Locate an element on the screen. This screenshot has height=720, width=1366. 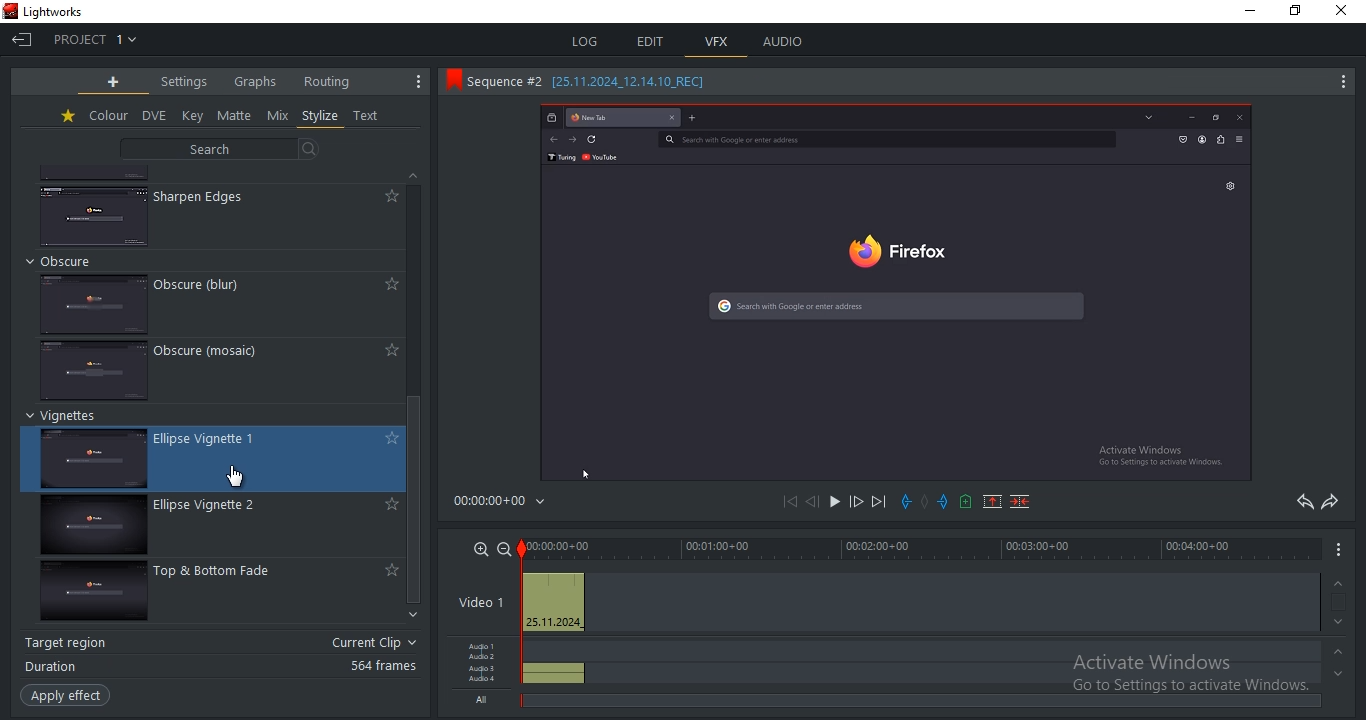
Show settings menu is located at coordinates (1342, 85).